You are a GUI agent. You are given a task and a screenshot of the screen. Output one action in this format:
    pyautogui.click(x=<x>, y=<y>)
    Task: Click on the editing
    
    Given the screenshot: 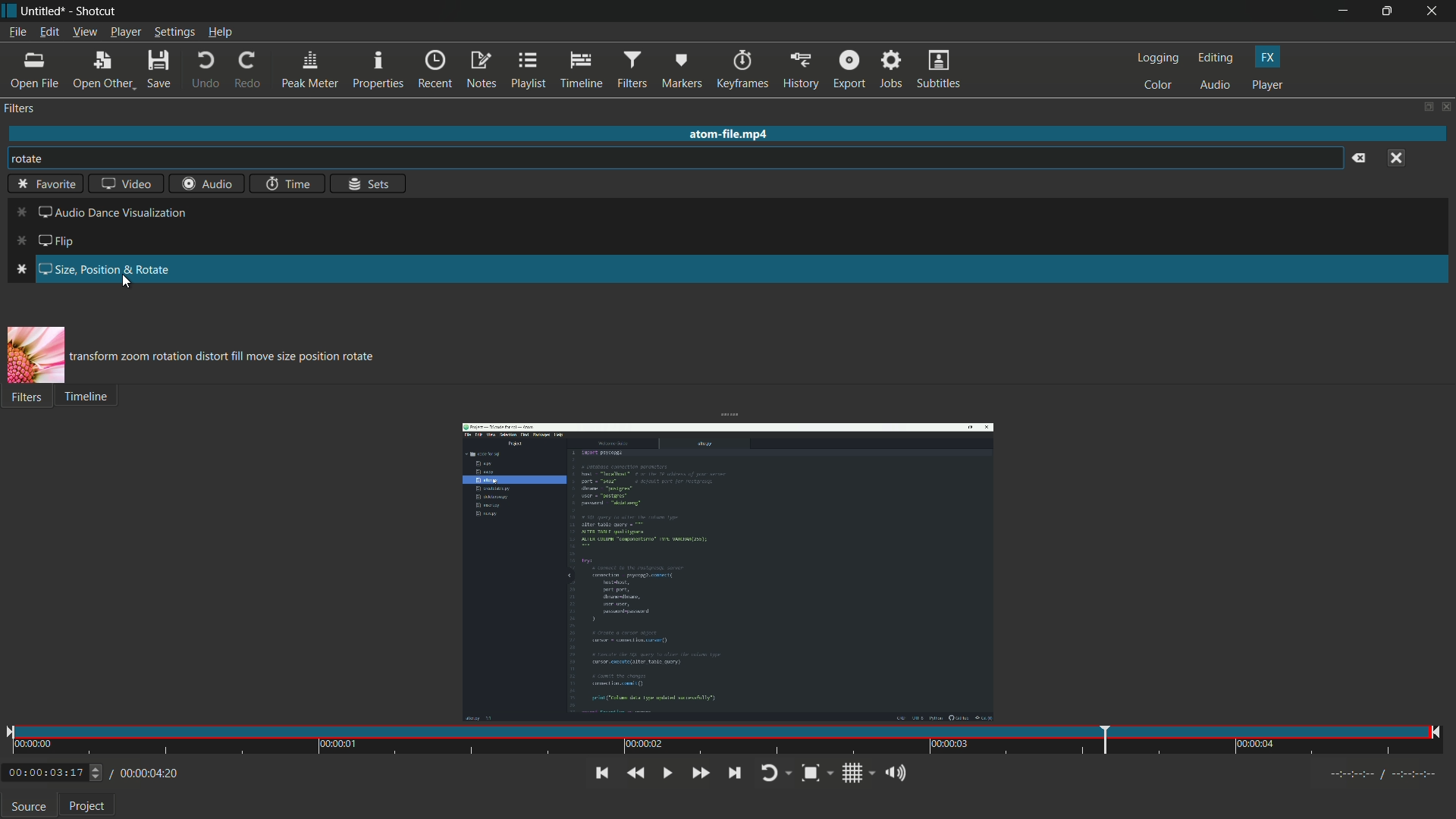 What is the action you would take?
    pyautogui.click(x=1217, y=58)
    